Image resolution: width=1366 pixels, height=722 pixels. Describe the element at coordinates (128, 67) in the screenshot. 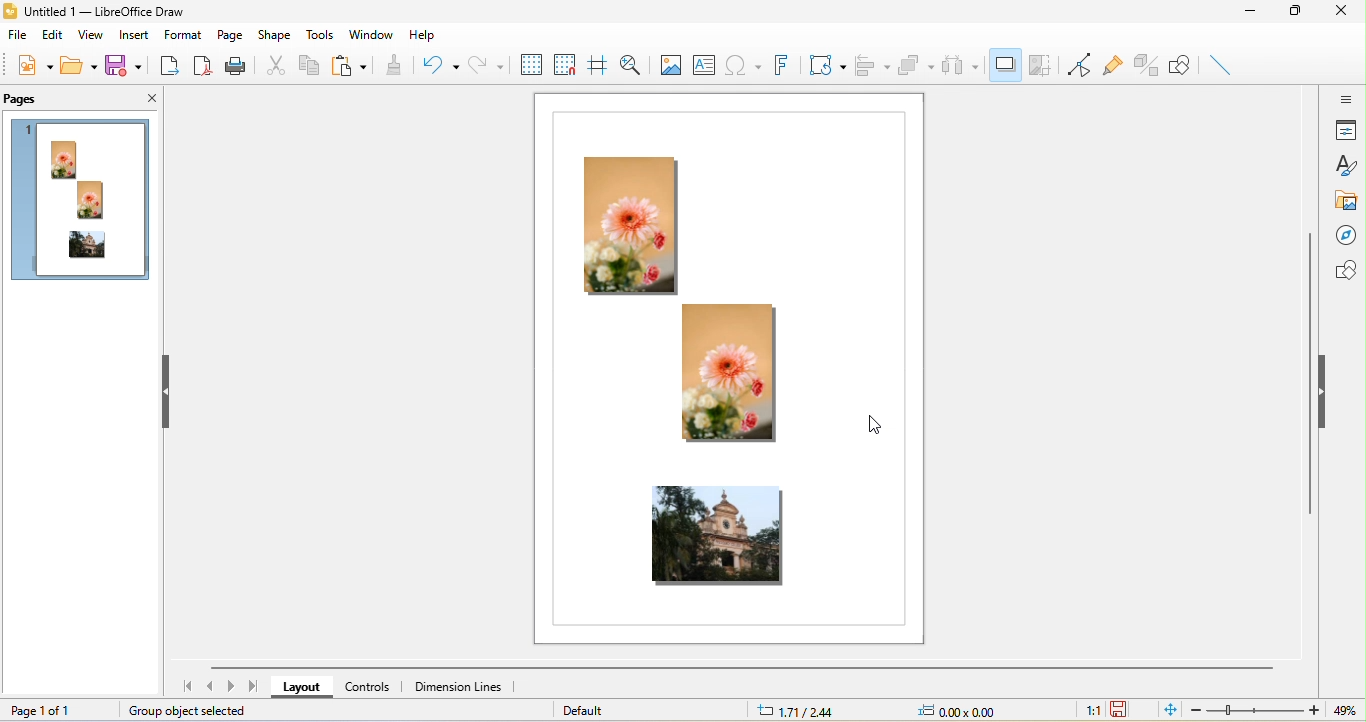

I see `save` at that location.